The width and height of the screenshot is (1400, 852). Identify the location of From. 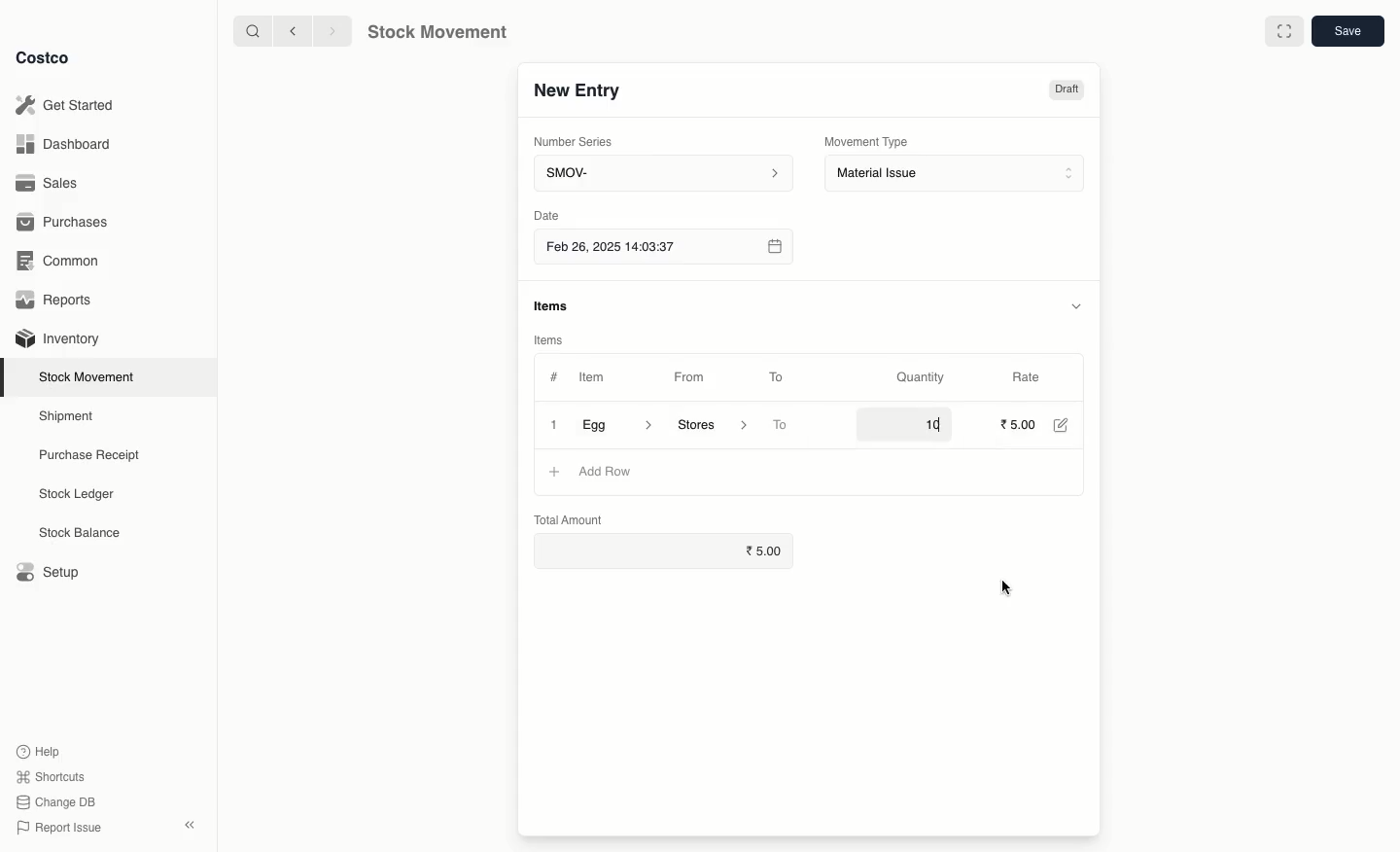
(696, 380).